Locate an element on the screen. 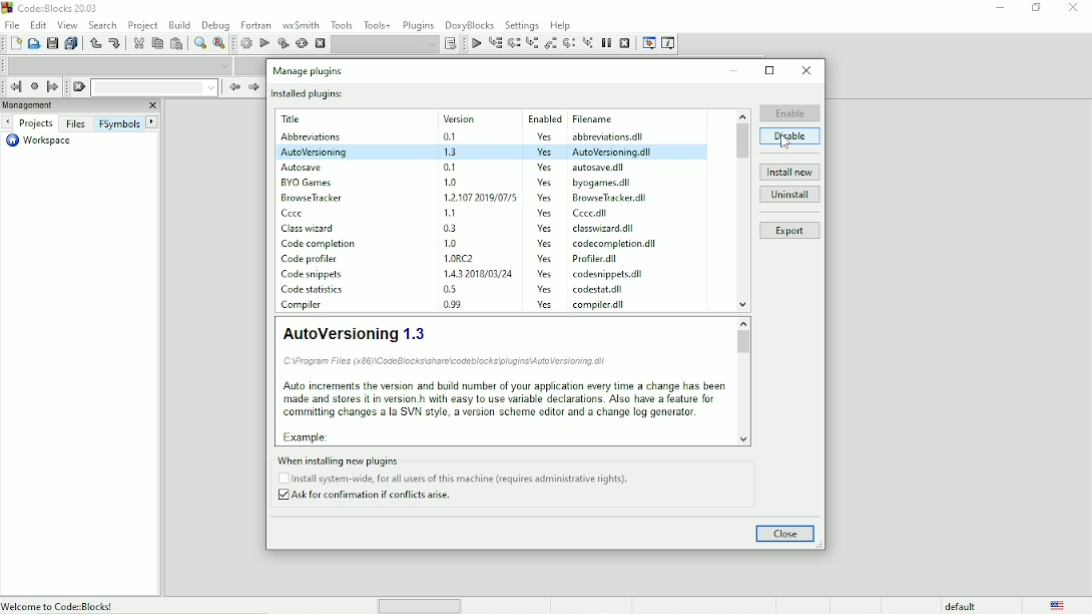 This screenshot has height=614, width=1092. Export is located at coordinates (790, 232).